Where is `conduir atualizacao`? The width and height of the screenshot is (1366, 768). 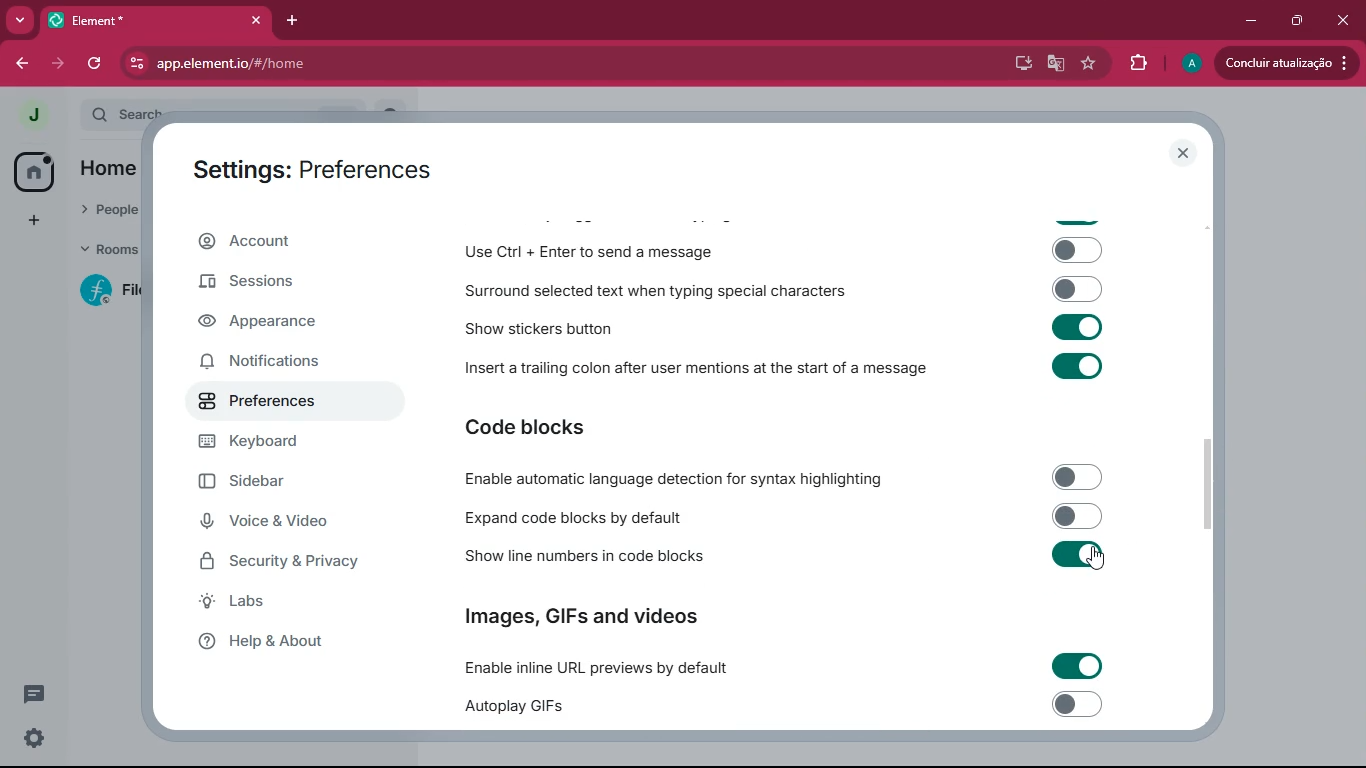
conduir atualizacao is located at coordinates (1287, 62).